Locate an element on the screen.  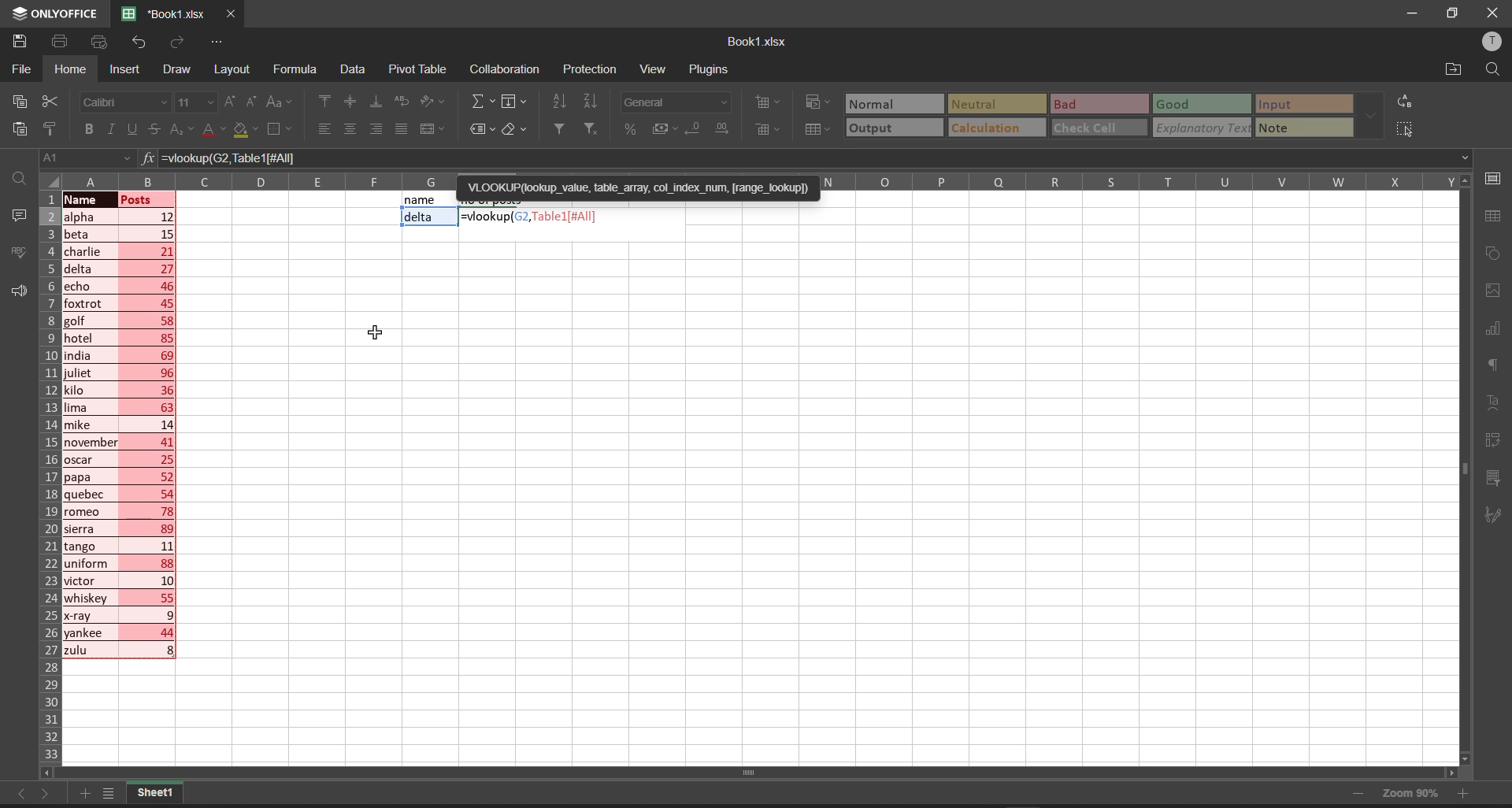
insert is located at coordinates (124, 70).